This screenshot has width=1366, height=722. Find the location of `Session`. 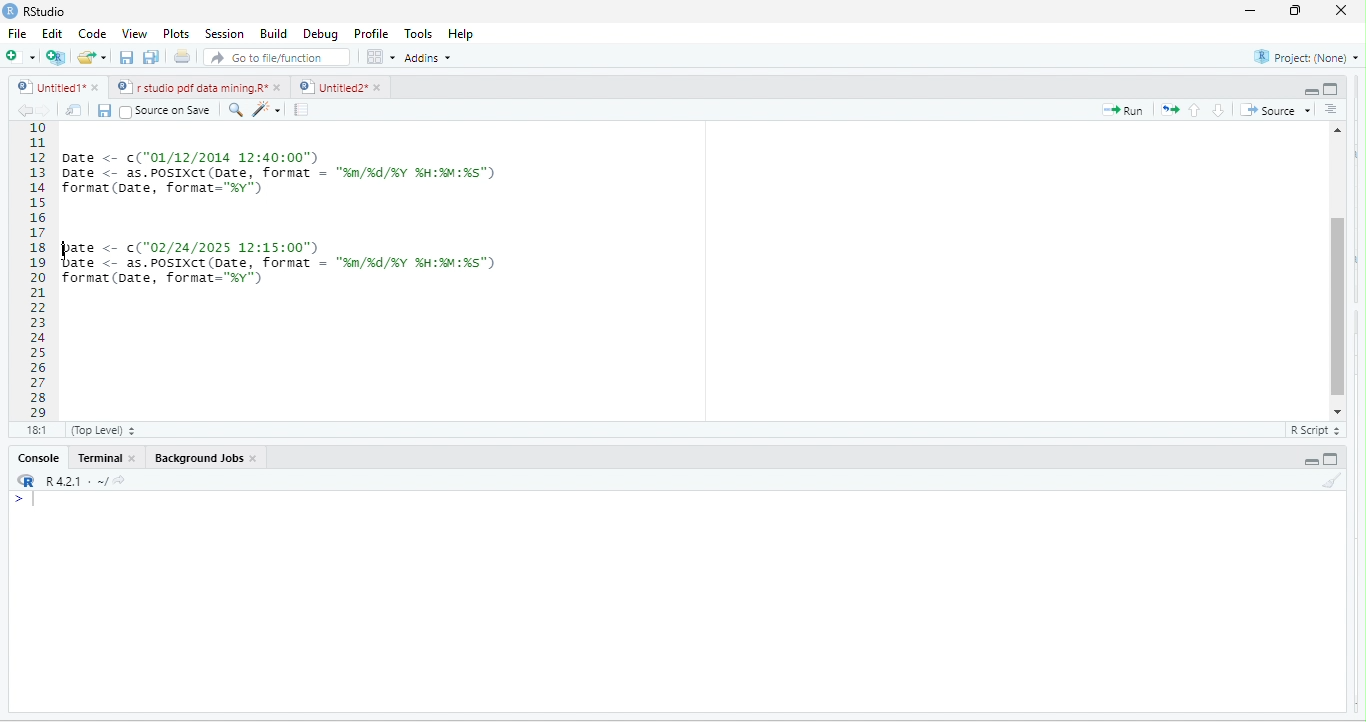

Session is located at coordinates (222, 34).